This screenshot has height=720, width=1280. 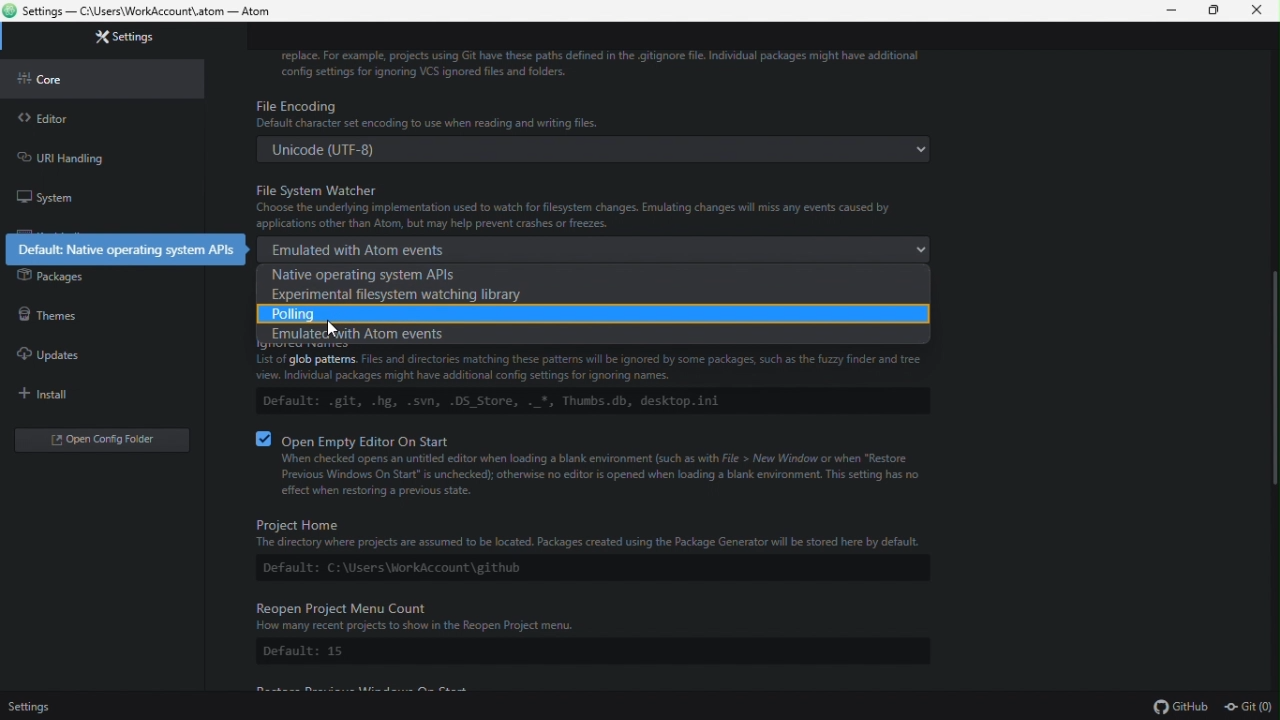 What do you see at coordinates (331, 329) in the screenshot?
I see `cursor` at bounding box center [331, 329].